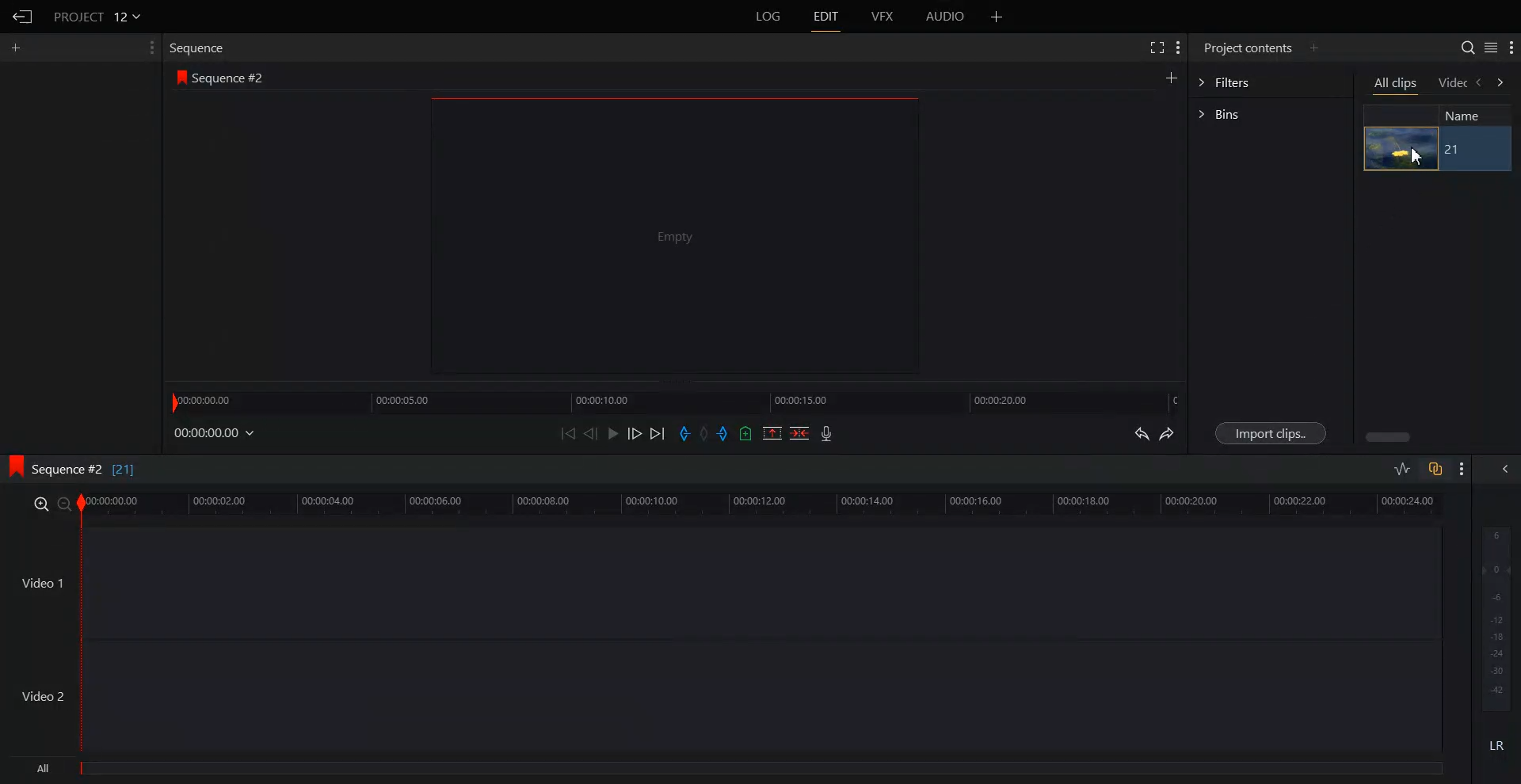  I want to click on File Name, so click(99, 16).